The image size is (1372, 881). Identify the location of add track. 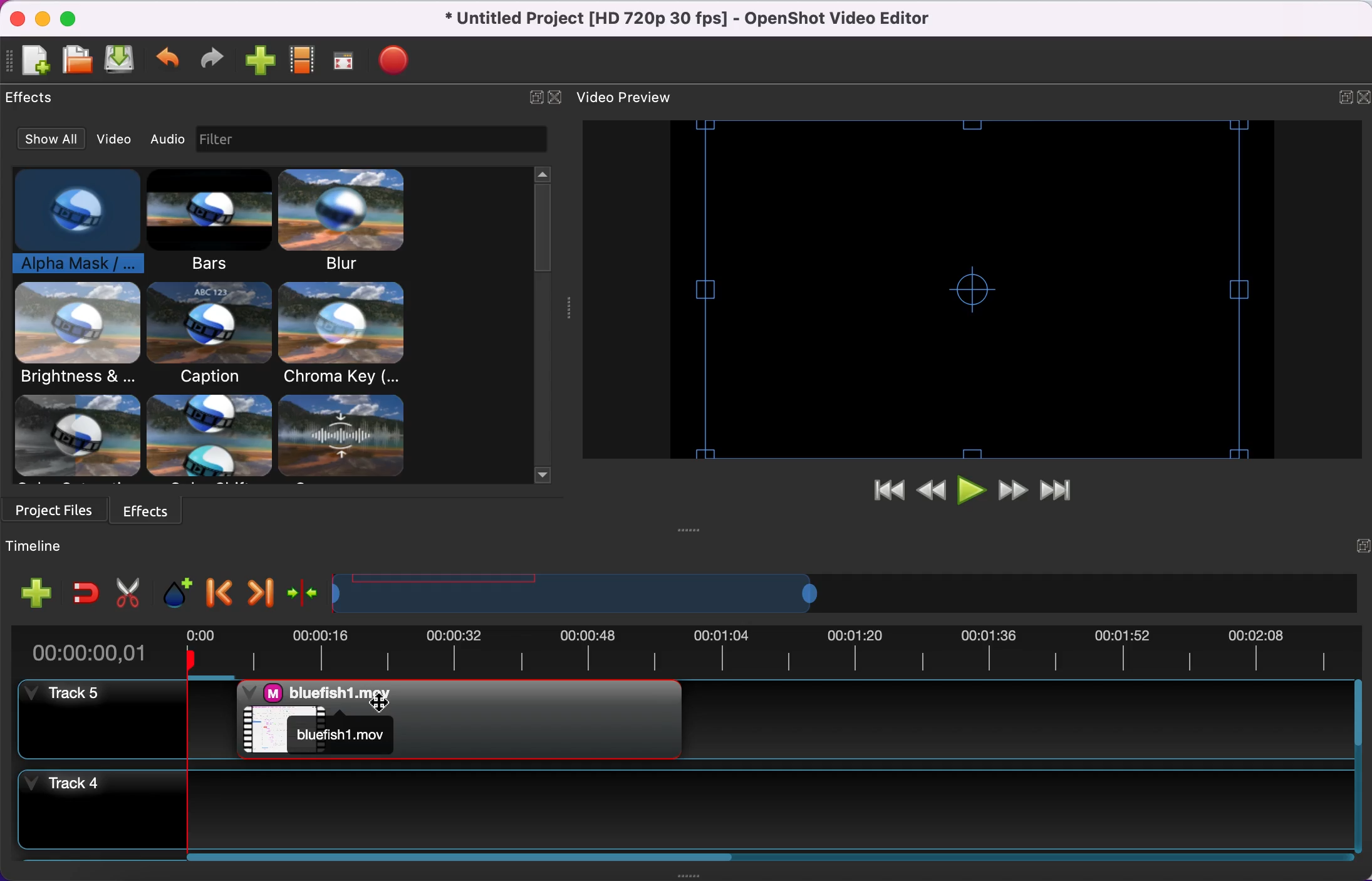
(33, 595).